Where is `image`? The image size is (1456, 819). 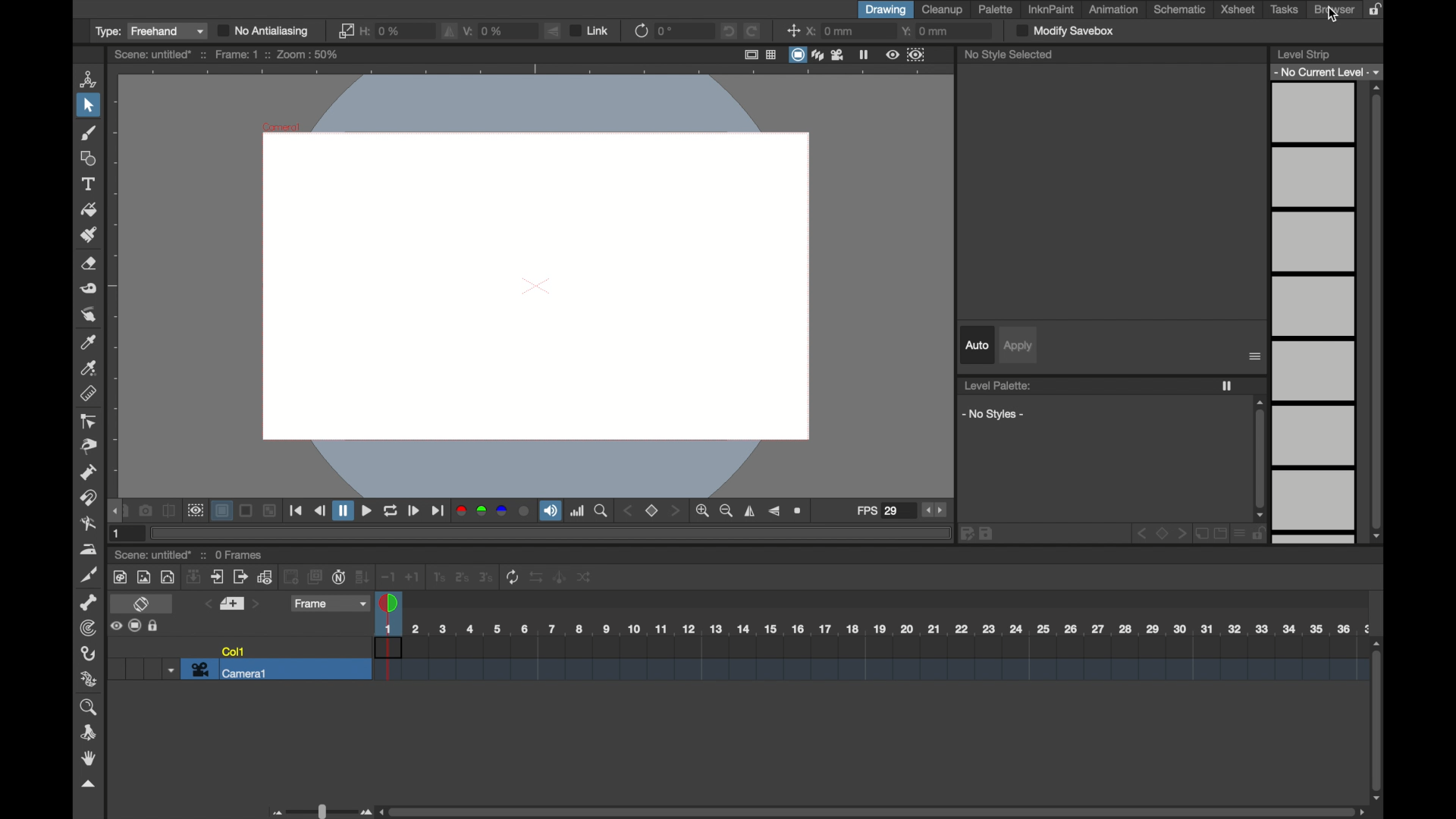
image is located at coordinates (144, 577).